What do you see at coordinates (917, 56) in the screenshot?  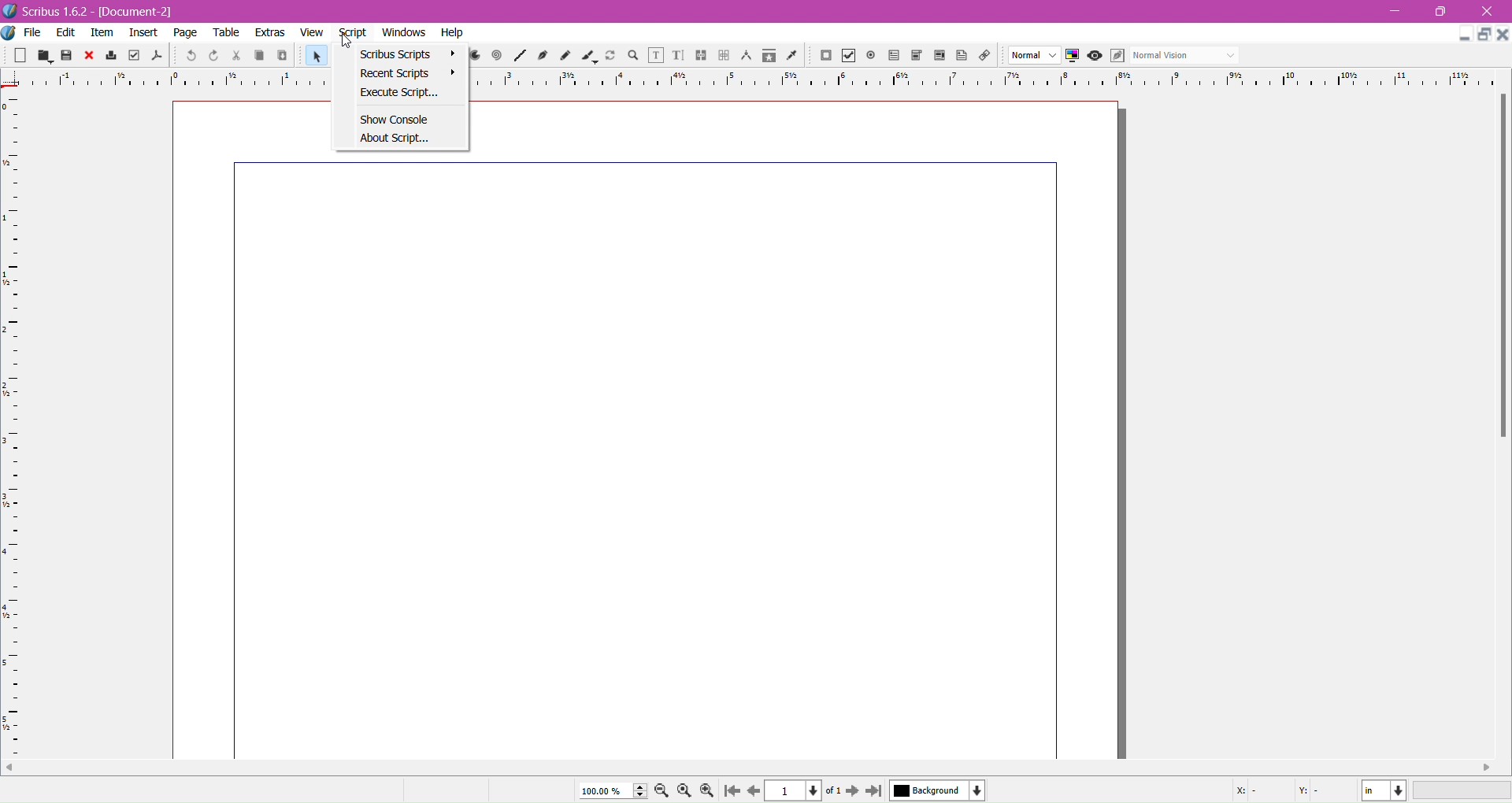 I see `PDF Combo Box` at bounding box center [917, 56].